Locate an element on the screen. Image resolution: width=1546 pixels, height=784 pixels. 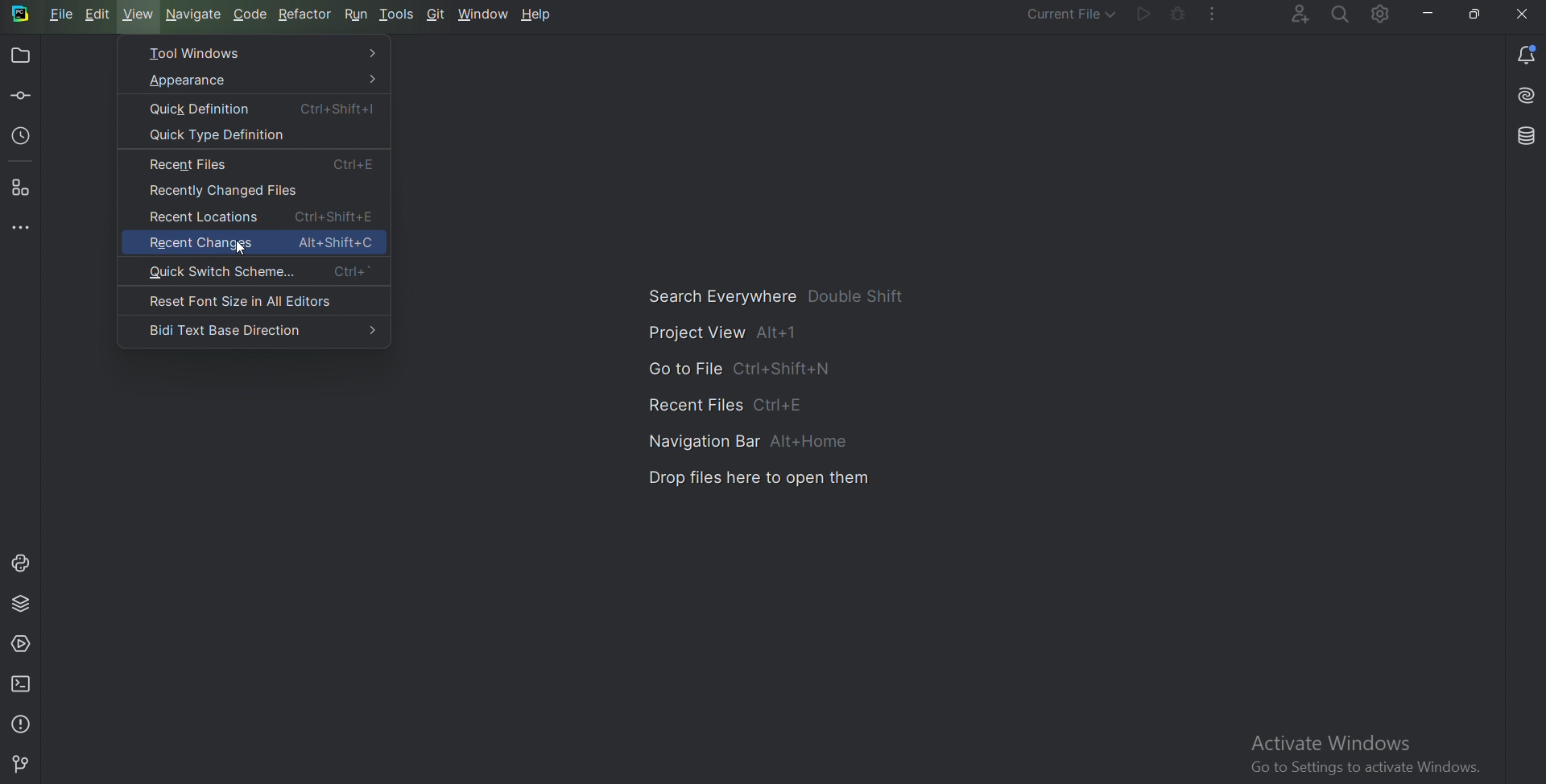
Run  is located at coordinates (356, 14).